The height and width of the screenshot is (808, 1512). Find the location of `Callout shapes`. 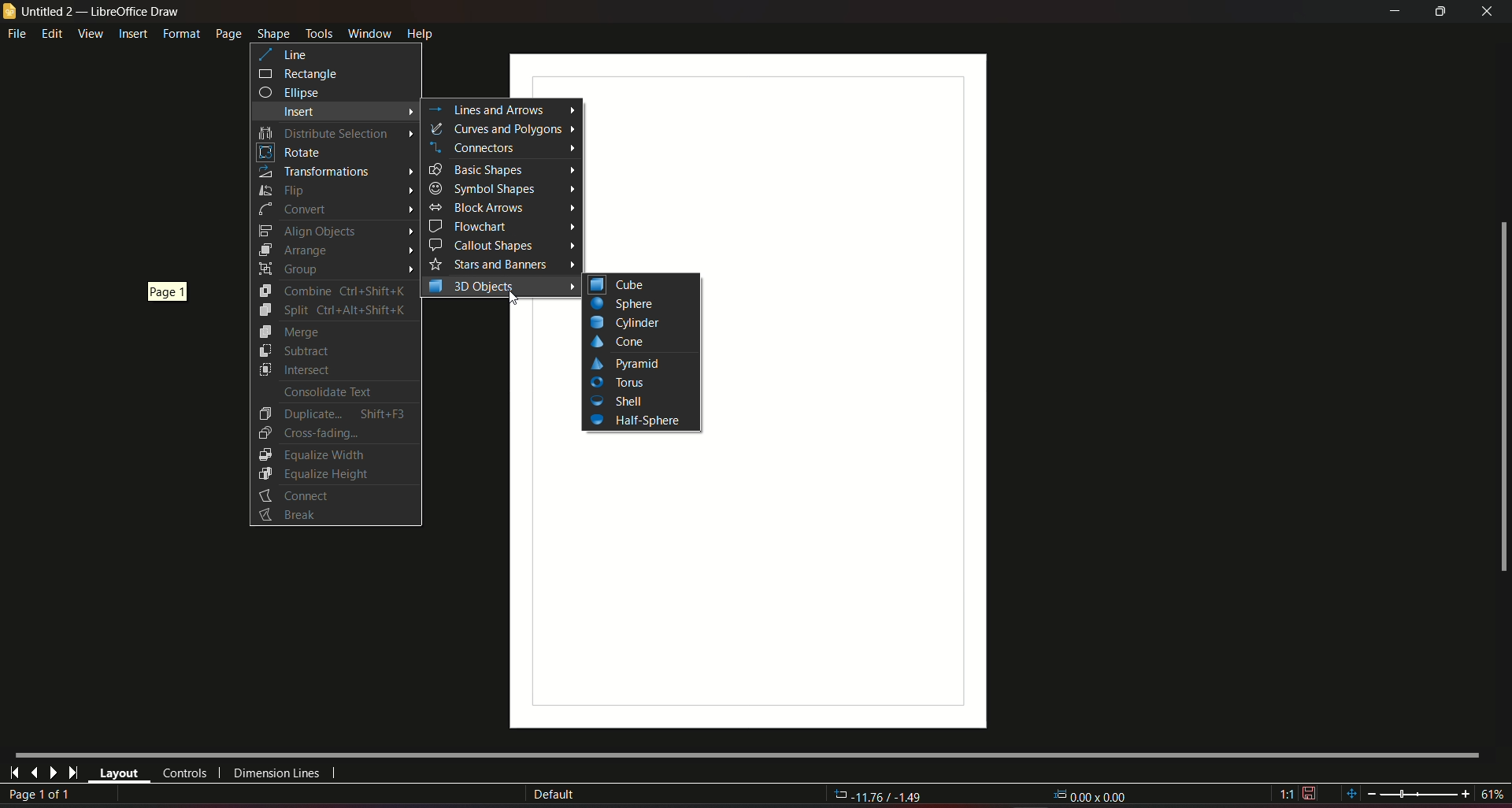

Callout shapes is located at coordinates (481, 245).